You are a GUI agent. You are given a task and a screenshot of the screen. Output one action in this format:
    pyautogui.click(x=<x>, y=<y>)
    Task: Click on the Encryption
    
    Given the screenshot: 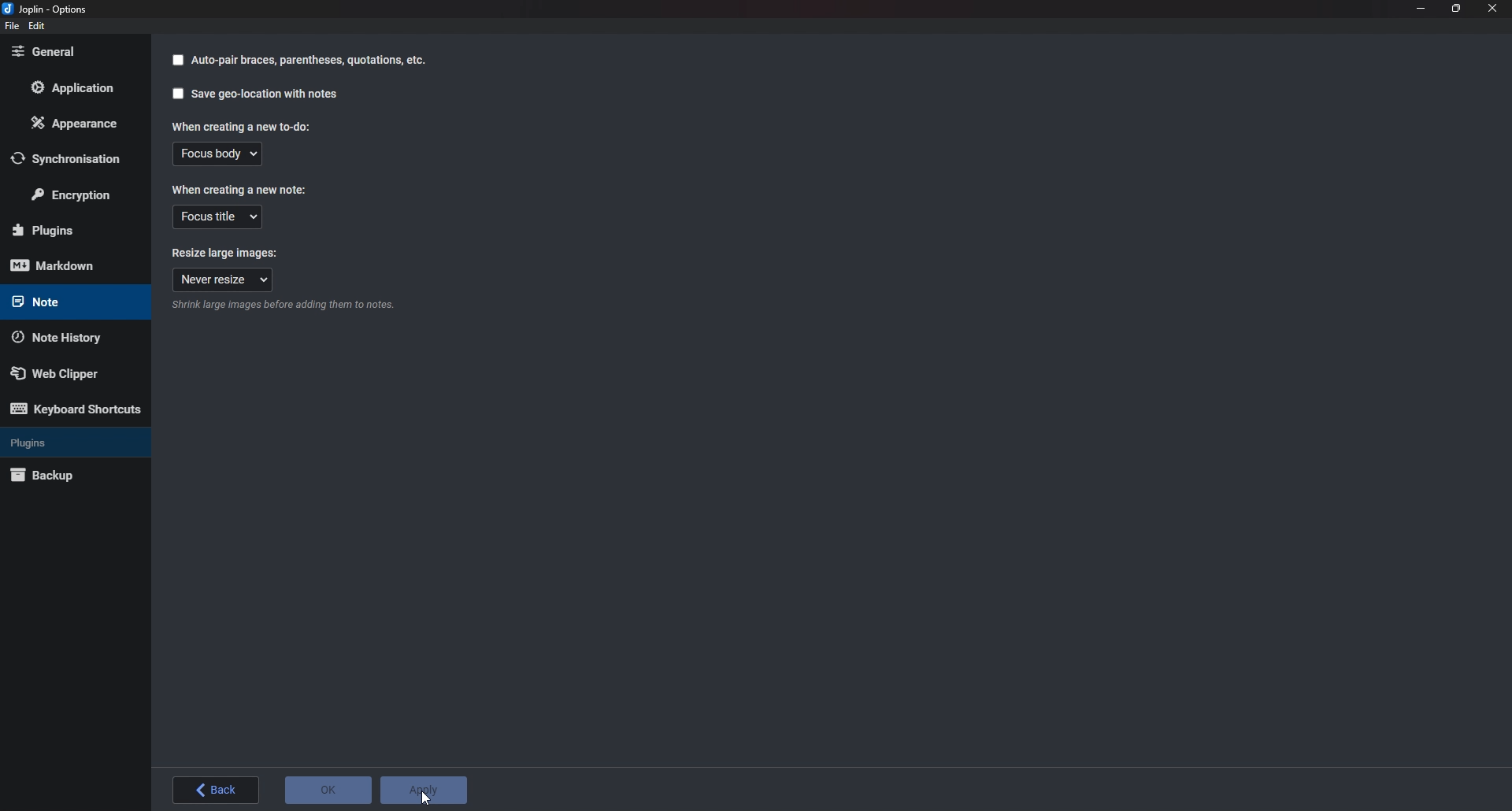 What is the action you would take?
    pyautogui.click(x=80, y=192)
    